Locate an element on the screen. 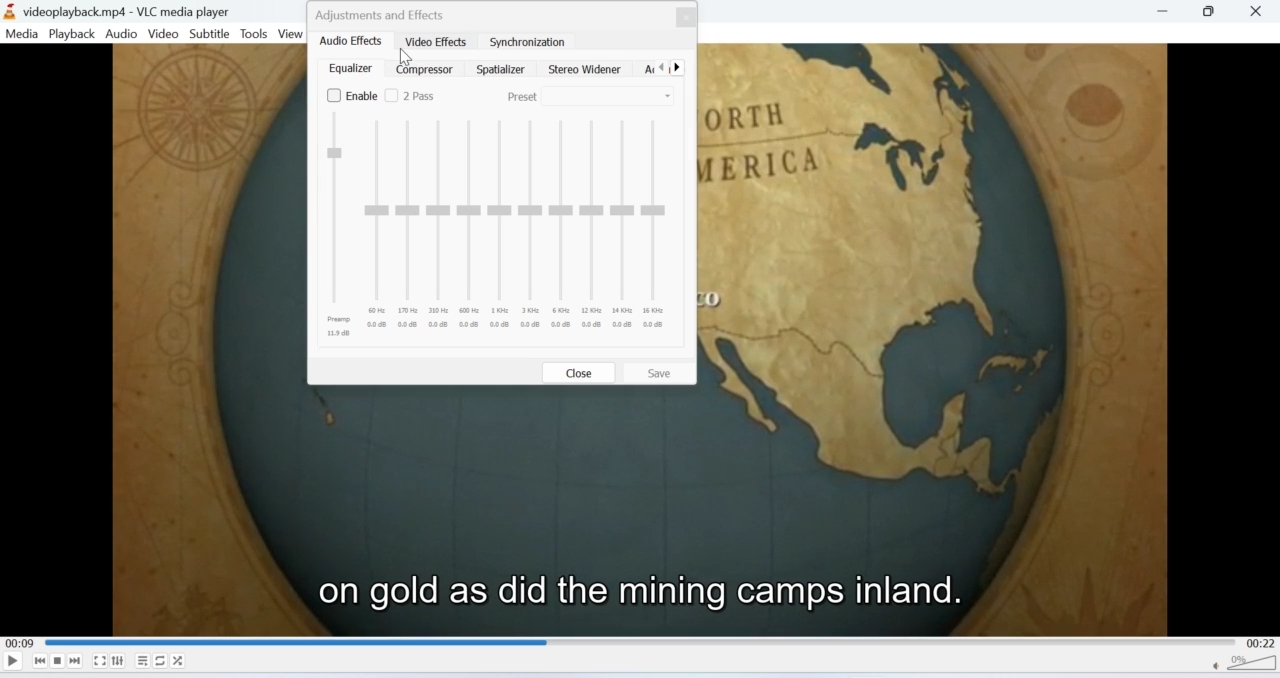  close is located at coordinates (576, 373).